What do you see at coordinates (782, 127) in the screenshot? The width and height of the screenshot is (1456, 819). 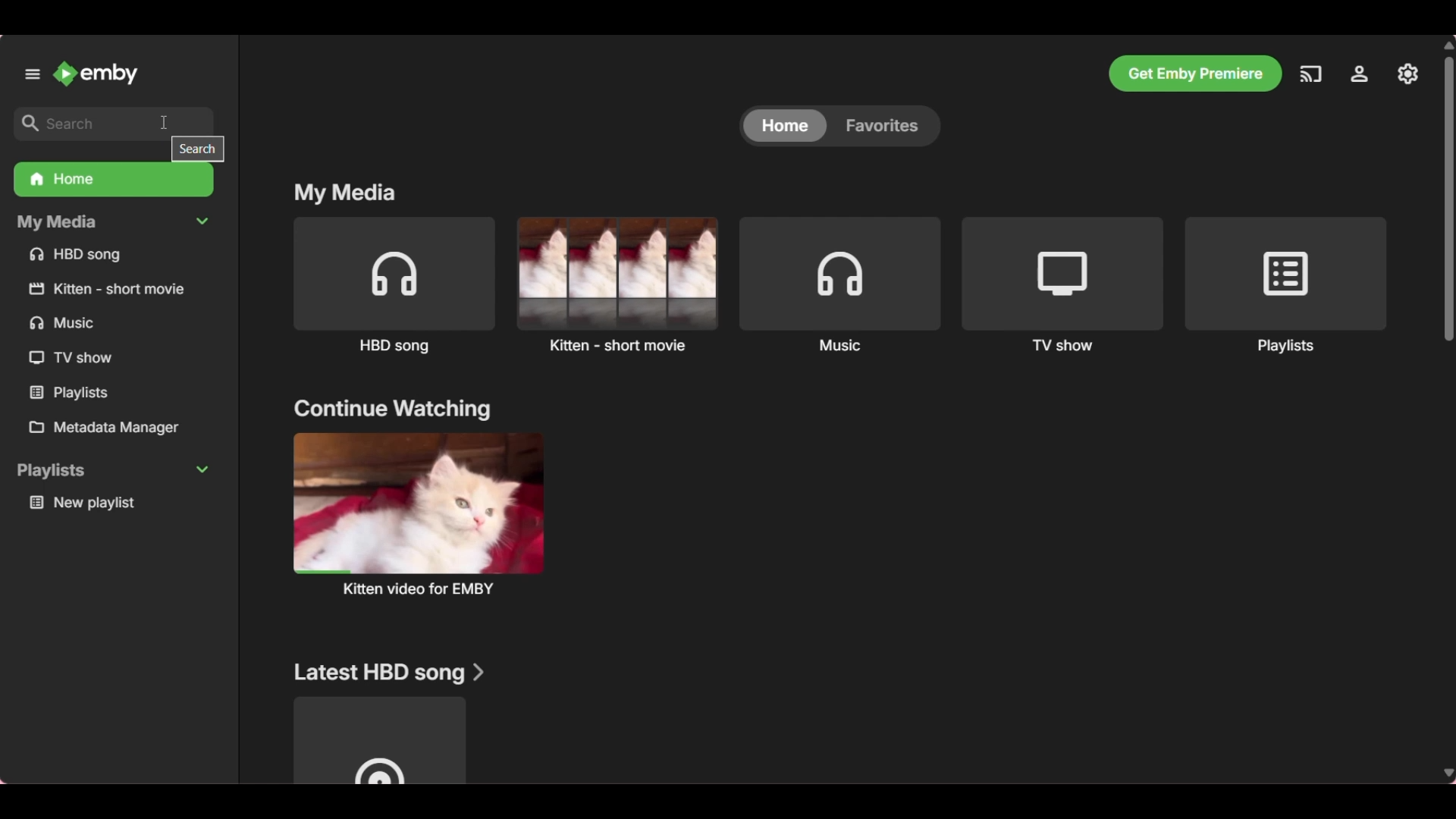 I see `home` at bounding box center [782, 127].